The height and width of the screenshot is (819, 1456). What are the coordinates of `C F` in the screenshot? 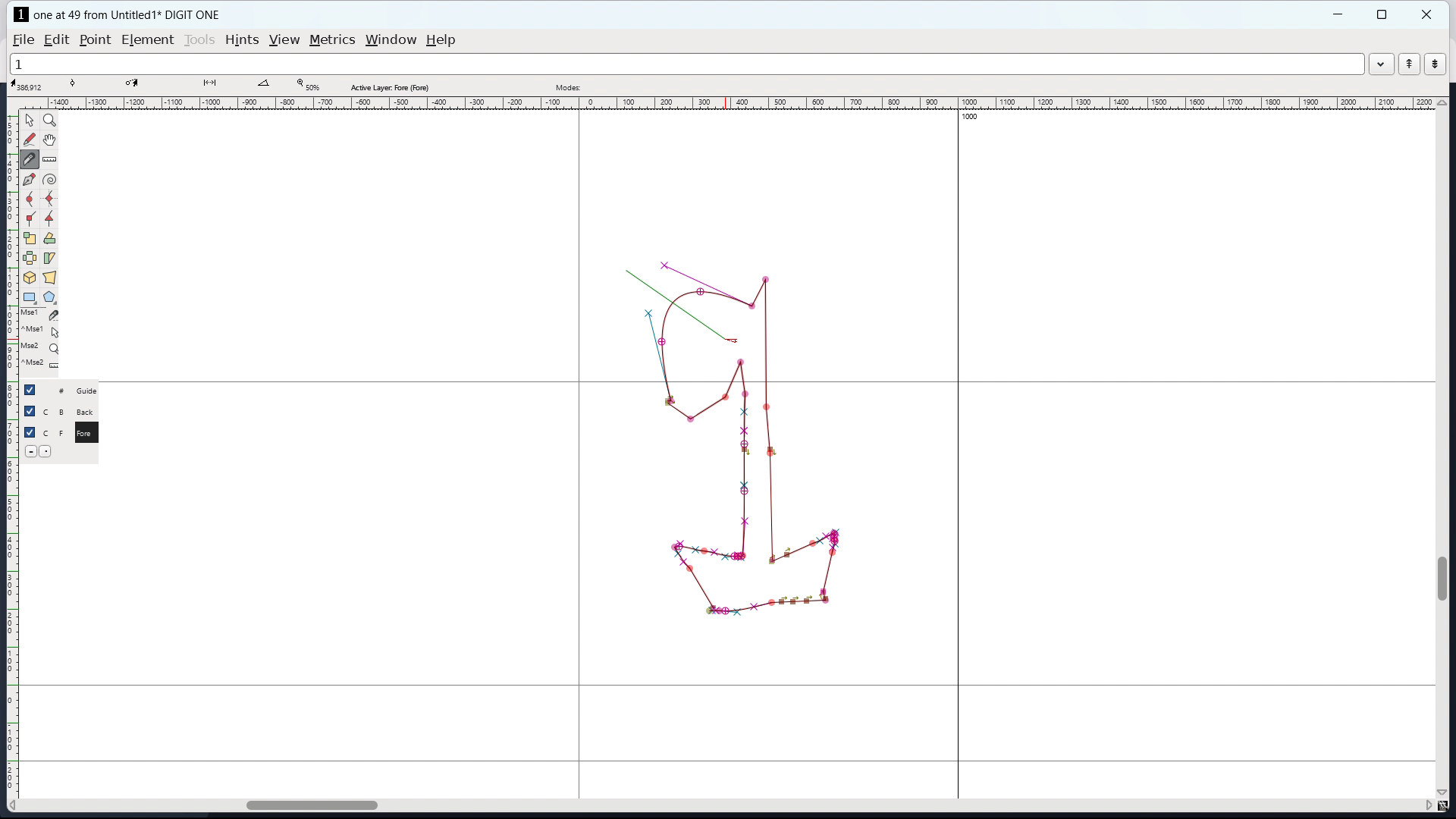 It's located at (53, 431).